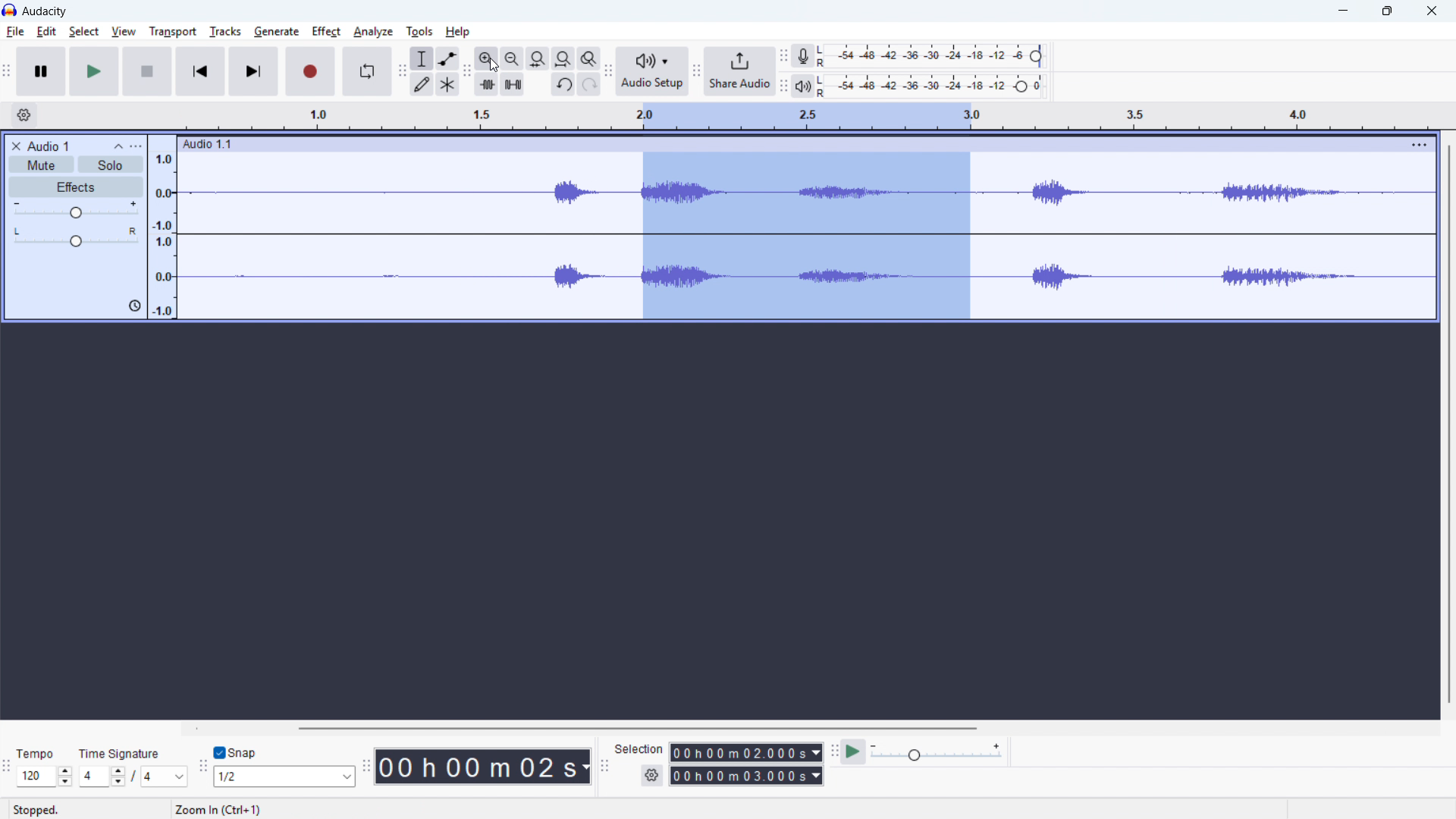 Image resolution: width=1456 pixels, height=819 pixels. I want to click on Skip to start, so click(200, 72).